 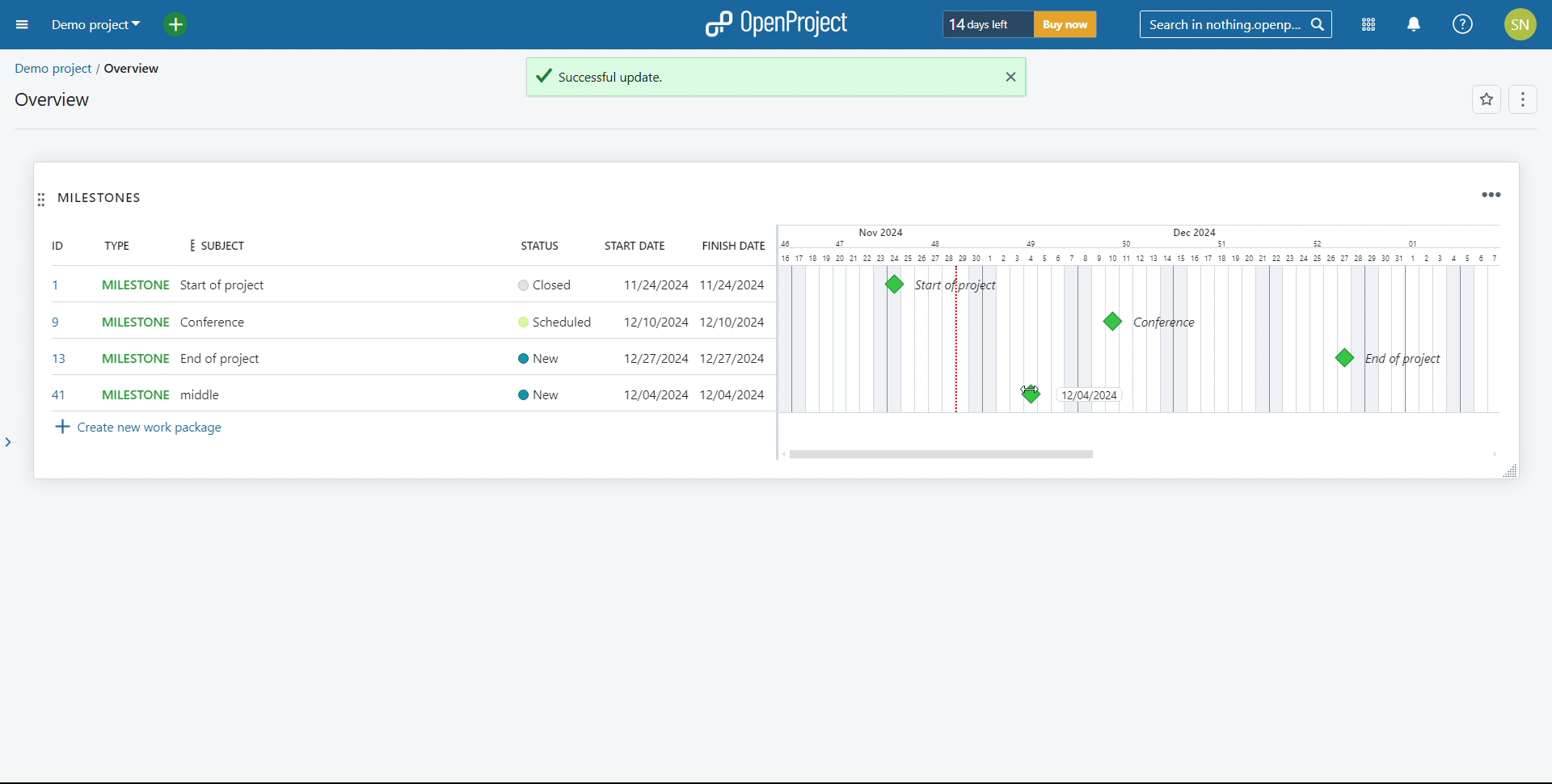 What do you see at coordinates (1031, 394) in the screenshot?
I see `milsetone moved` at bounding box center [1031, 394].